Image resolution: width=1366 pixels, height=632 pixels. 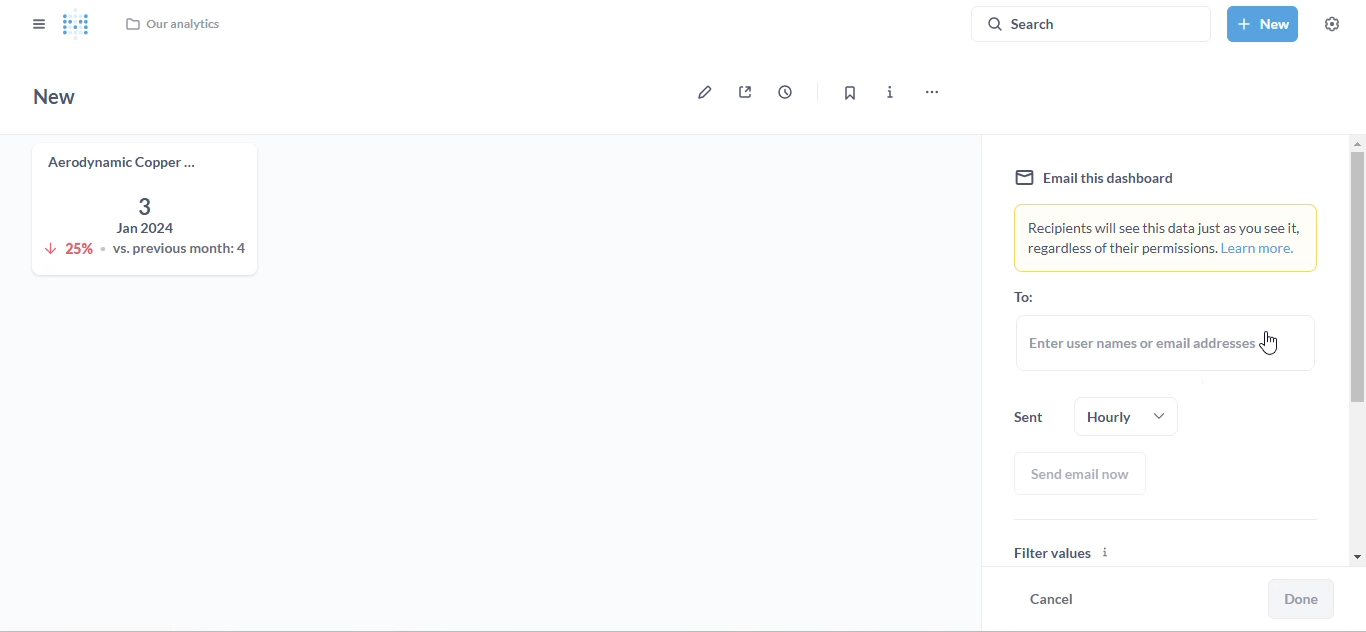 I want to click on aerodynamic copper knife trend, so click(x=141, y=207).